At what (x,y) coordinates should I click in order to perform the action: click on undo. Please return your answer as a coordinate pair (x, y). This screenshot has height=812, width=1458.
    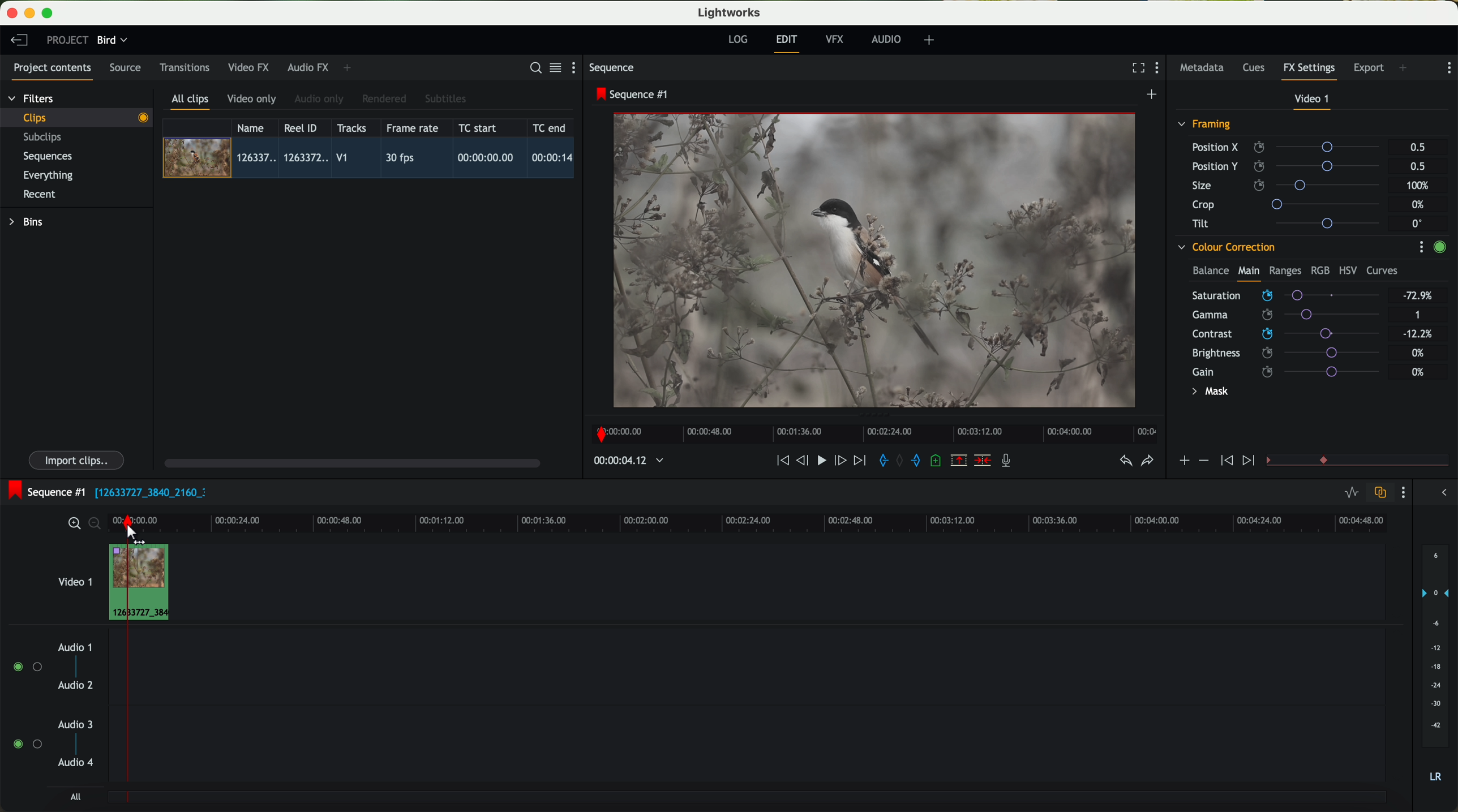
    Looking at the image, I should click on (1125, 461).